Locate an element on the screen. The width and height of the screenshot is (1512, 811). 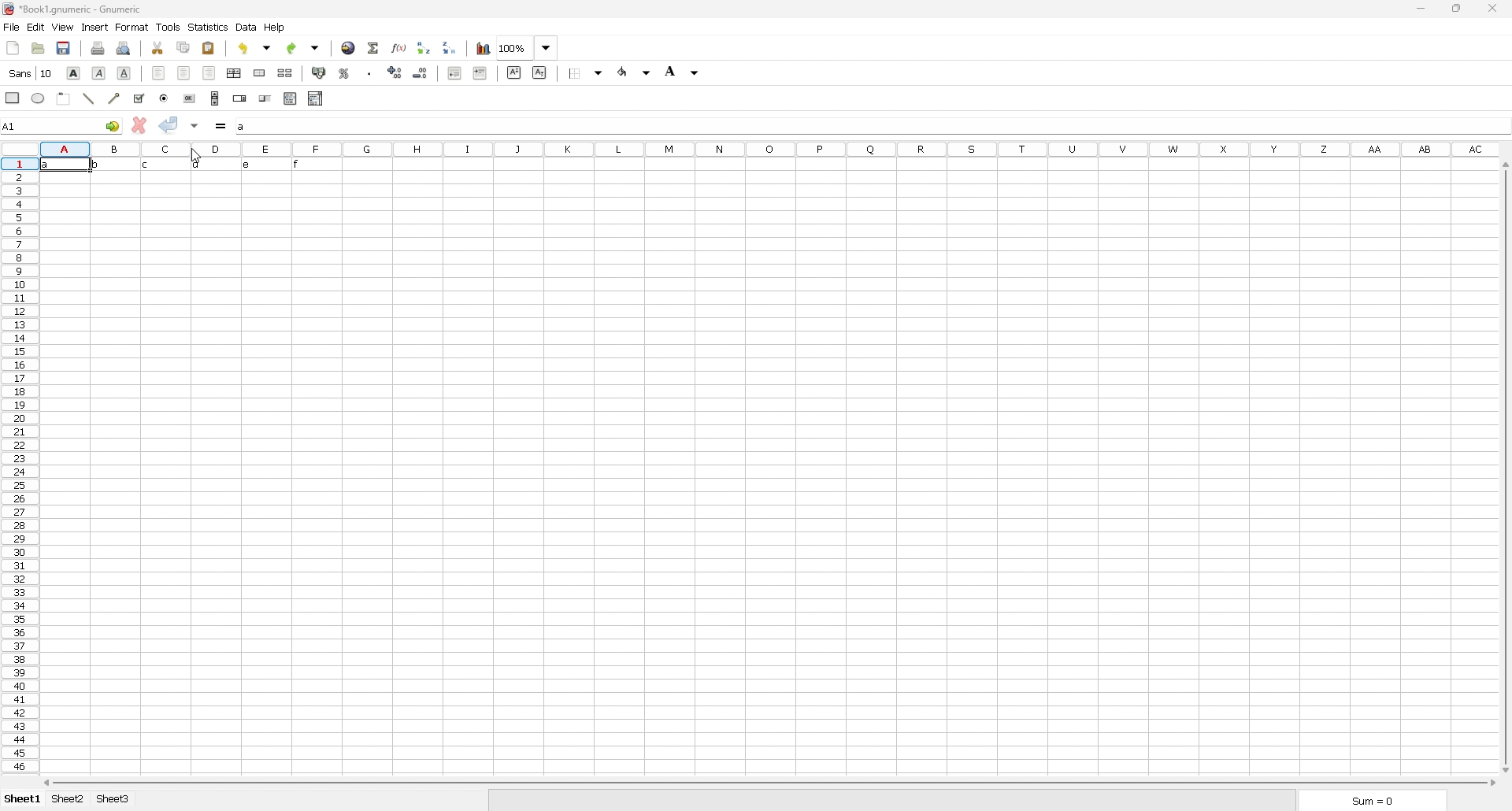
edit is located at coordinates (36, 27).